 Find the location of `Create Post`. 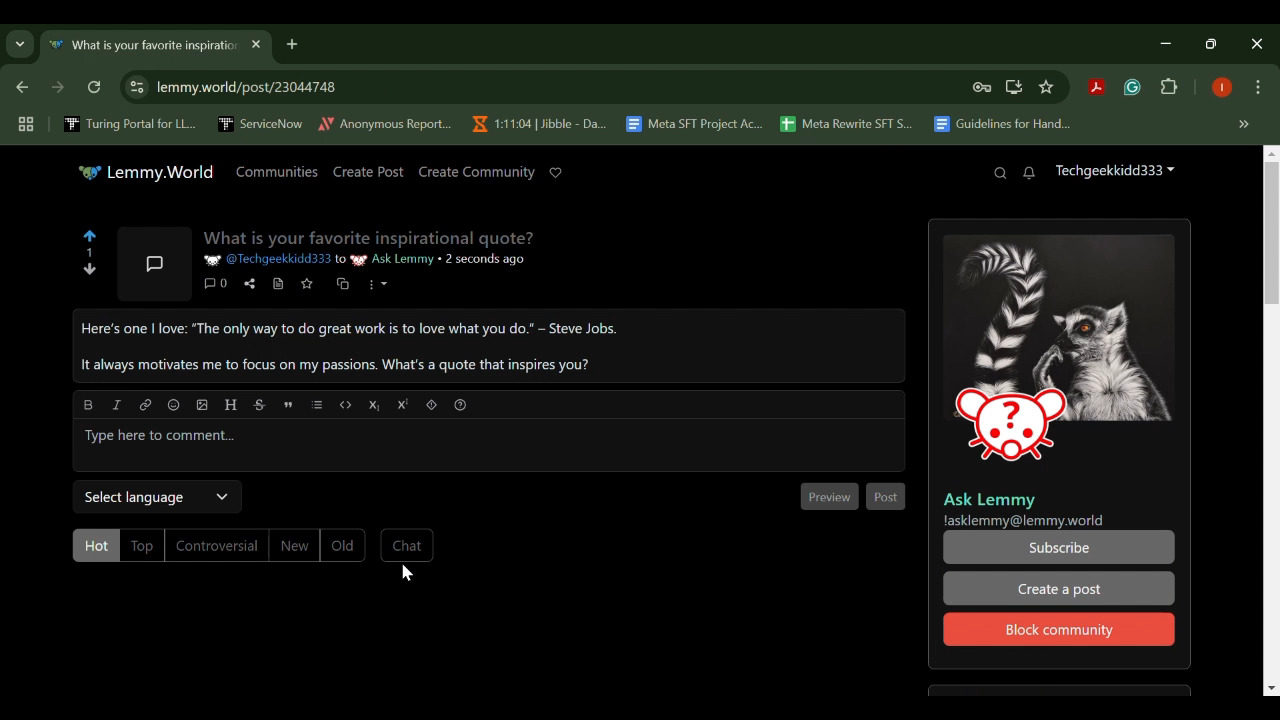

Create Post is located at coordinates (369, 173).